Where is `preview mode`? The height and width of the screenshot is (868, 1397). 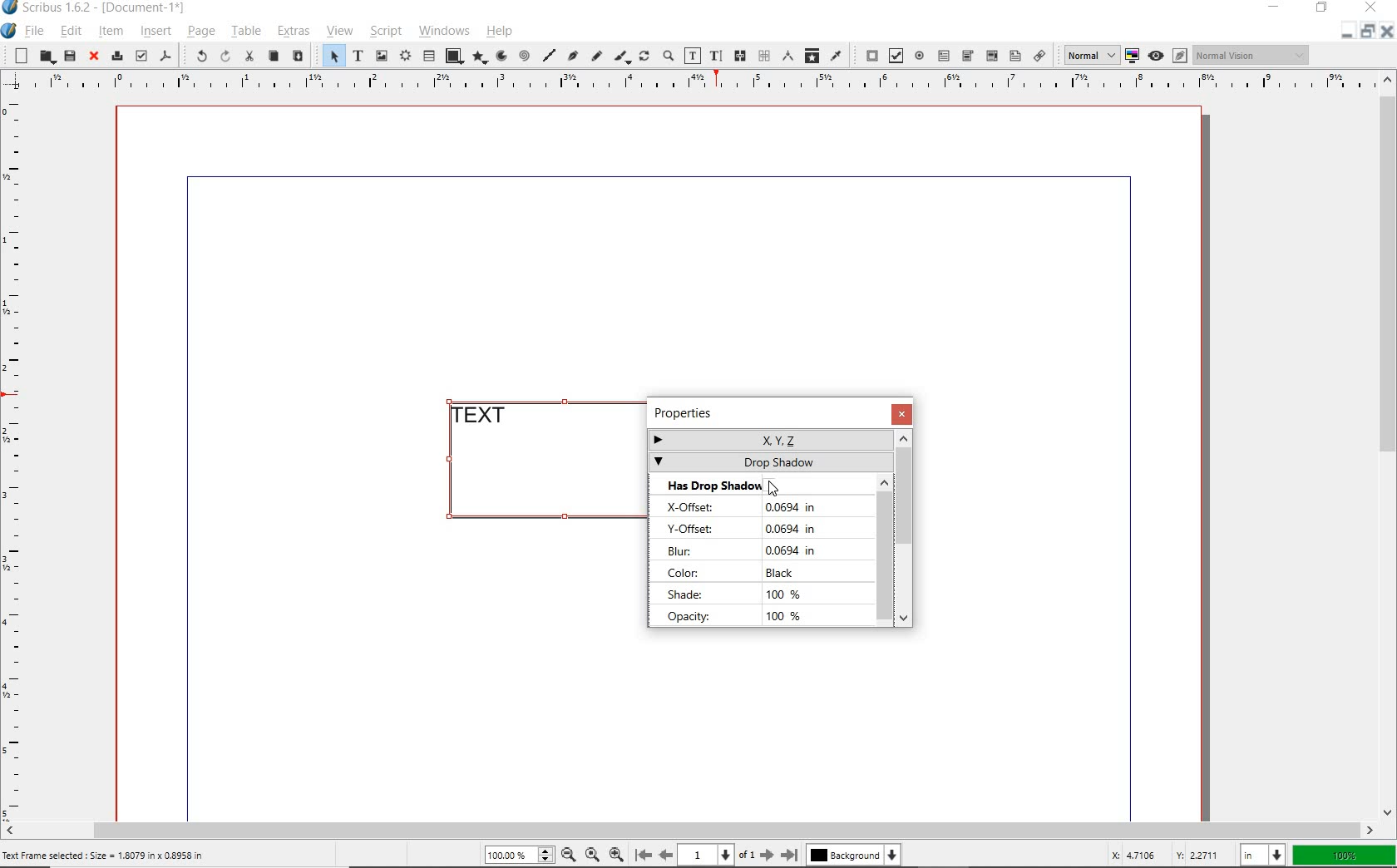 preview mode is located at coordinates (1156, 56).